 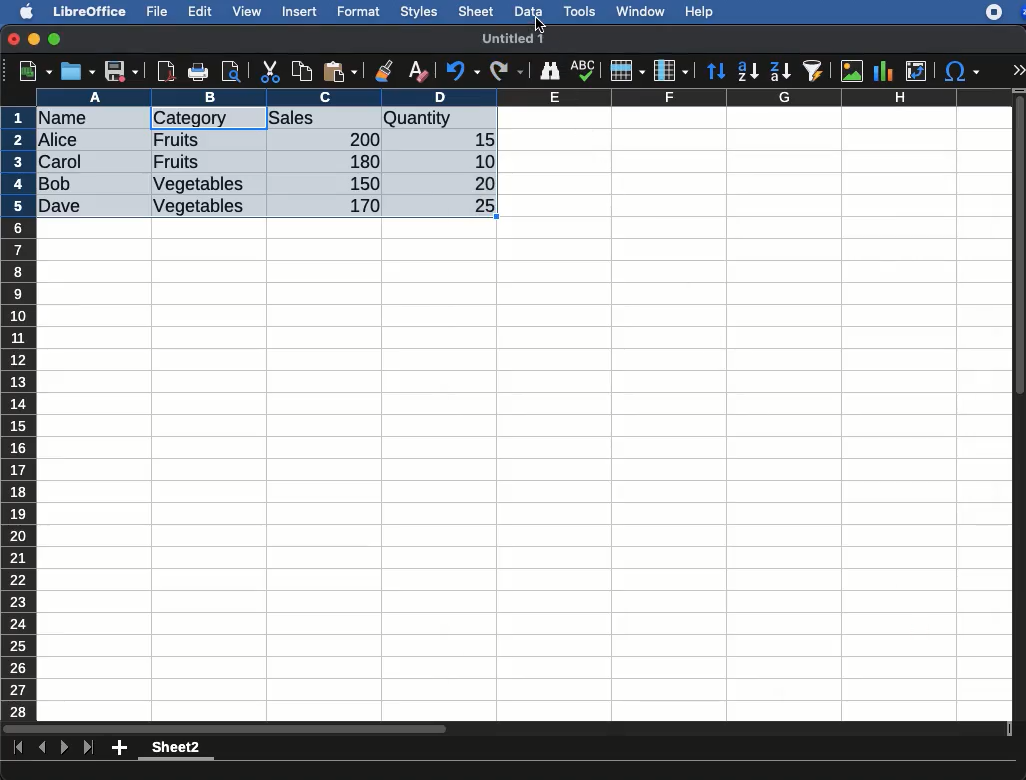 What do you see at coordinates (91, 11) in the screenshot?
I see `libreoffice` at bounding box center [91, 11].